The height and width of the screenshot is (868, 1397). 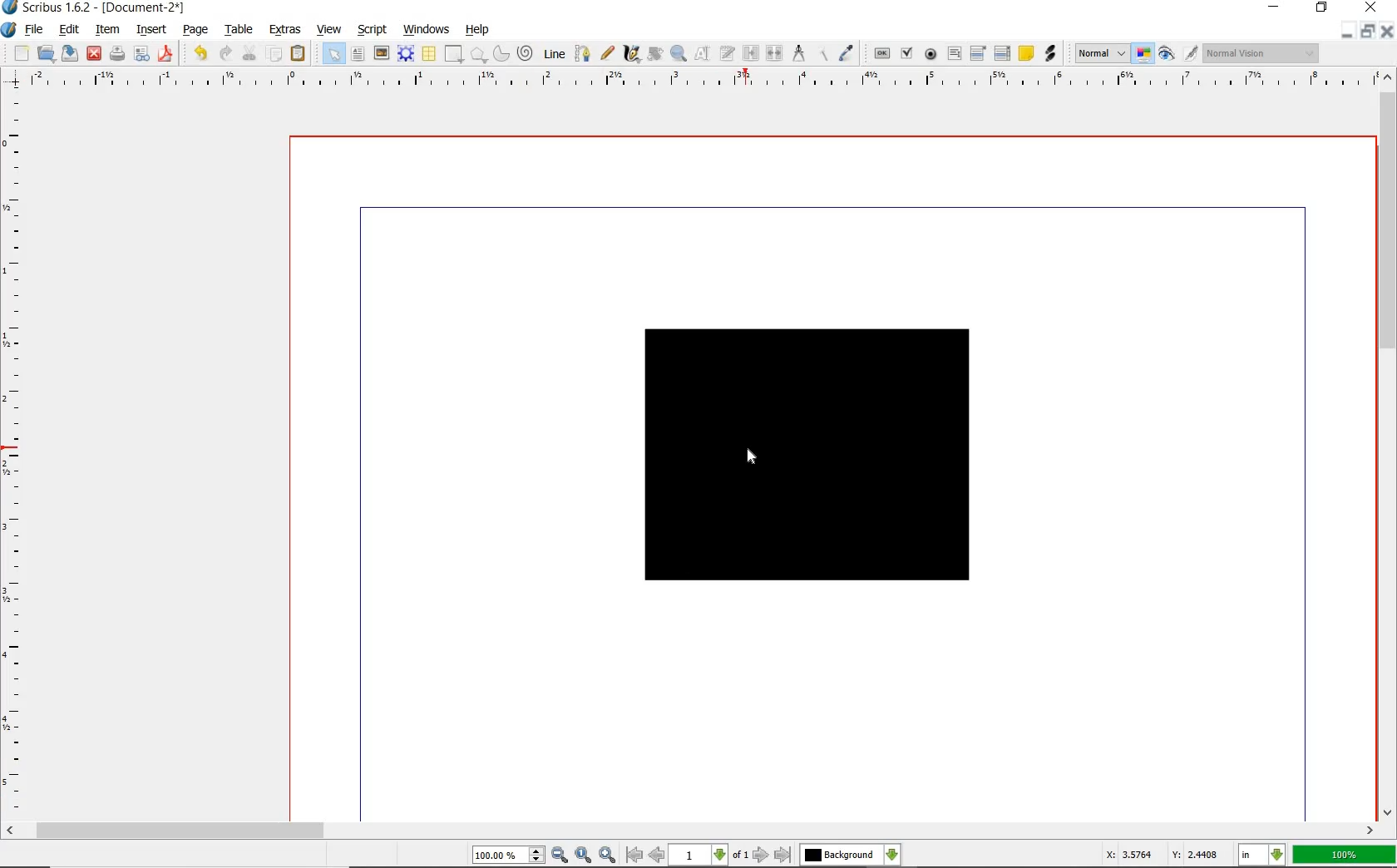 I want to click on 100%, so click(x=1344, y=856).